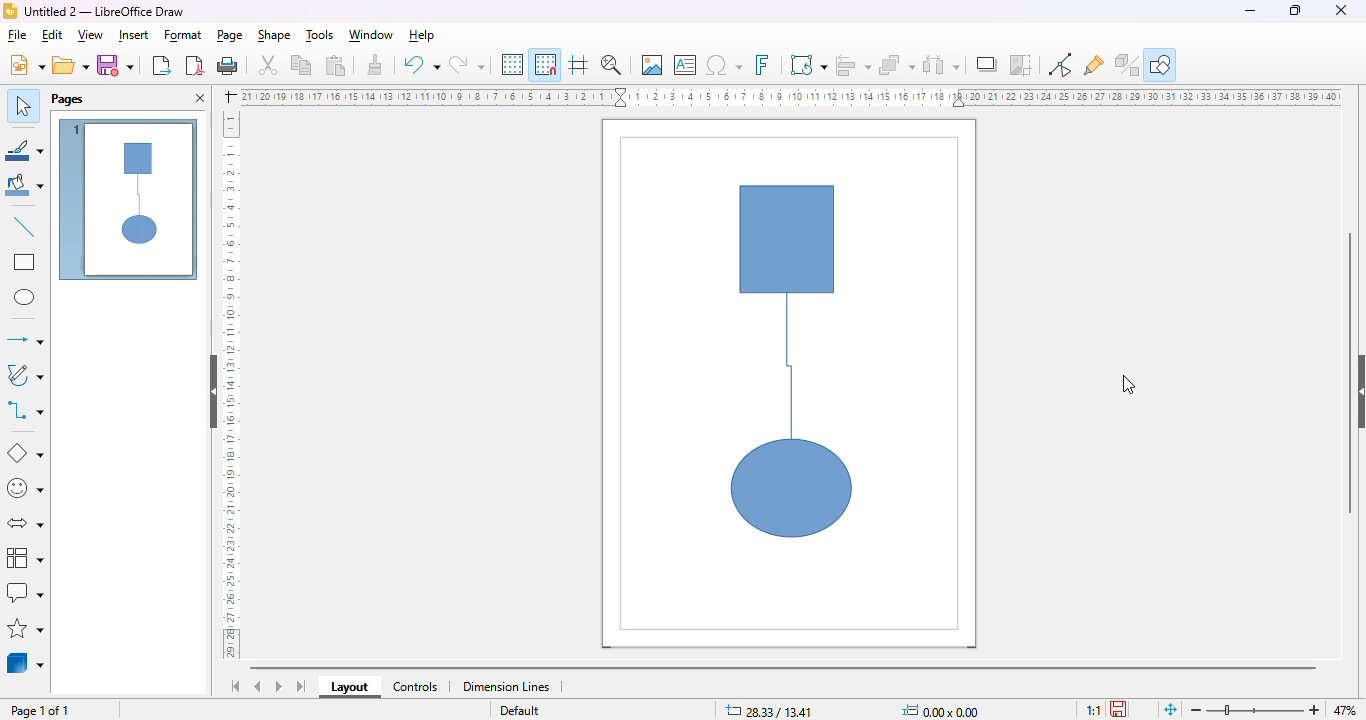 This screenshot has height=720, width=1366. I want to click on logo, so click(10, 11).